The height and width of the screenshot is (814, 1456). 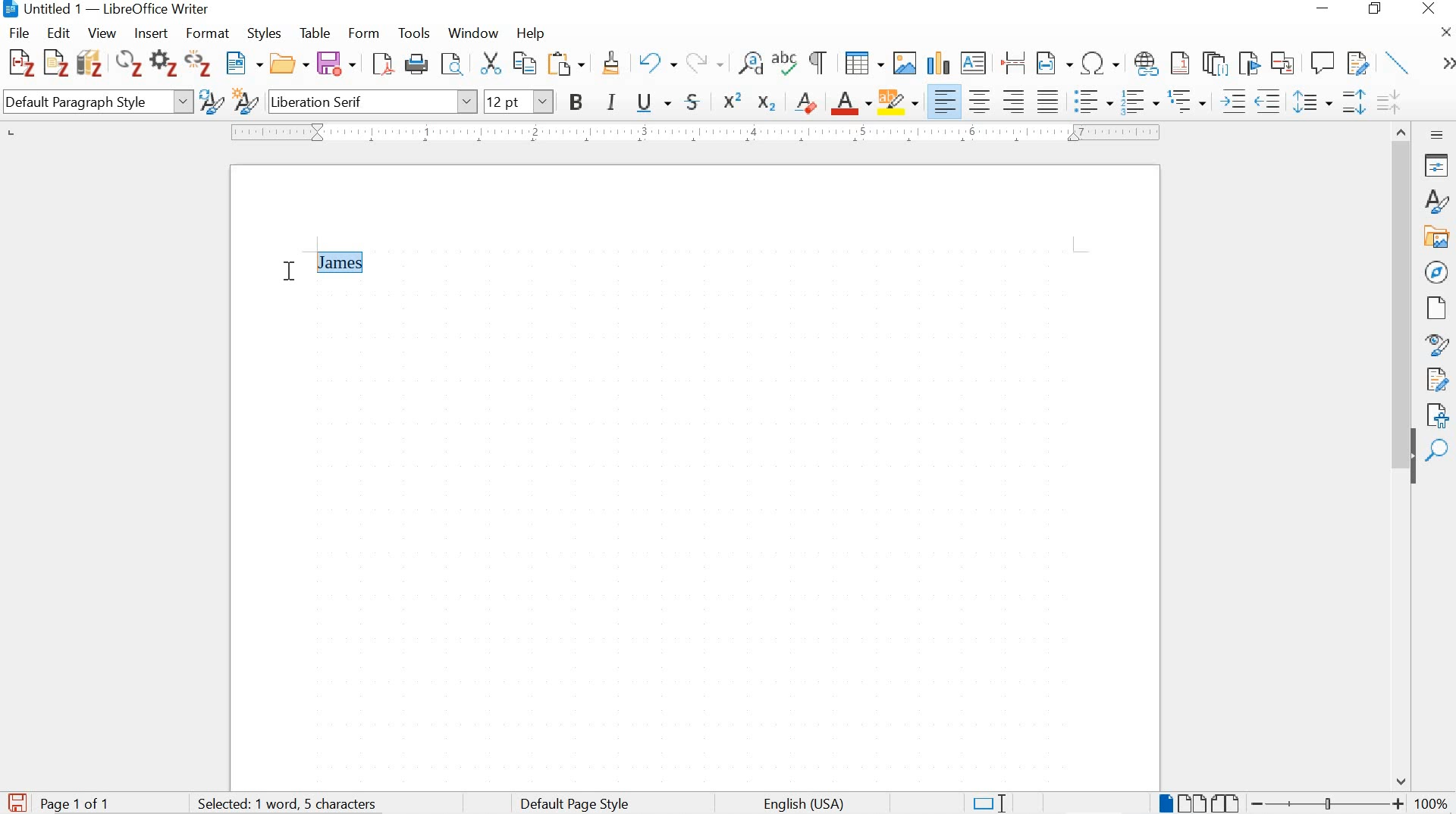 What do you see at coordinates (1048, 99) in the screenshot?
I see `justified` at bounding box center [1048, 99].